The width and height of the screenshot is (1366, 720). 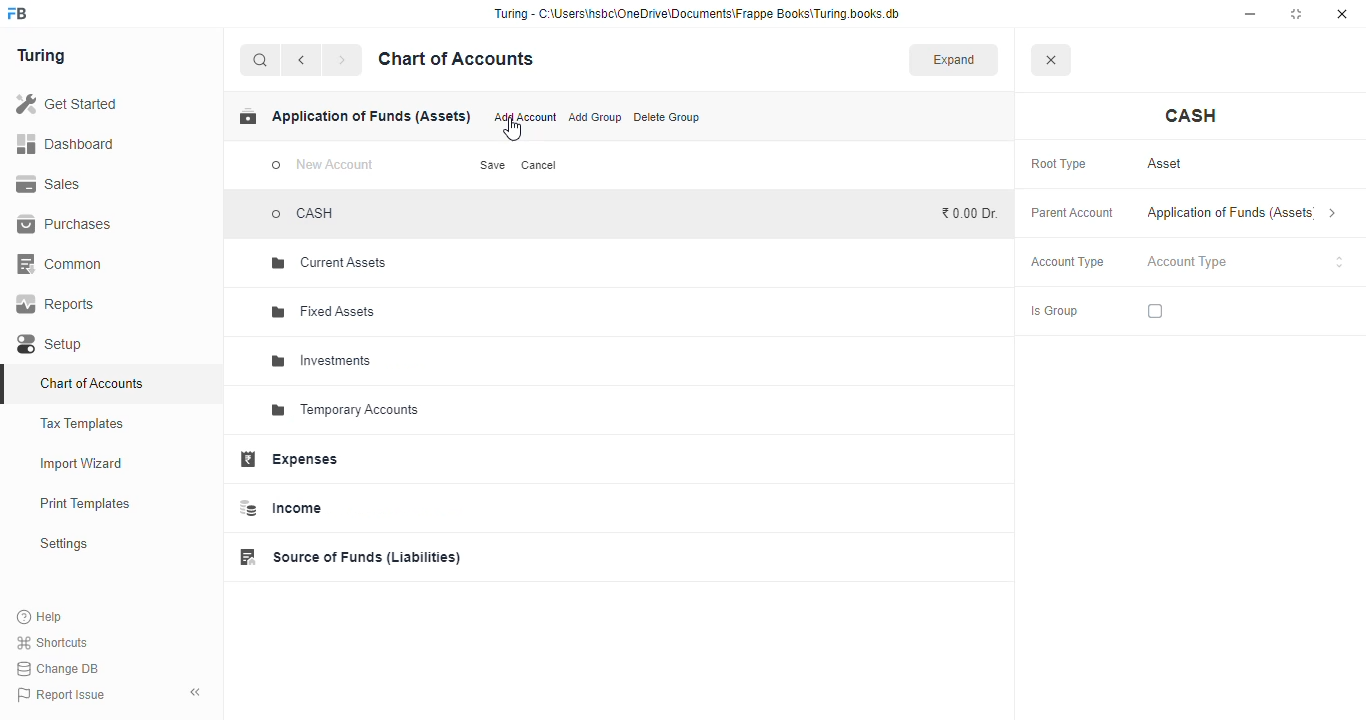 What do you see at coordinates (1192, 116) in the screenshot?
I see `cash` at bounding box center [1192, 116].